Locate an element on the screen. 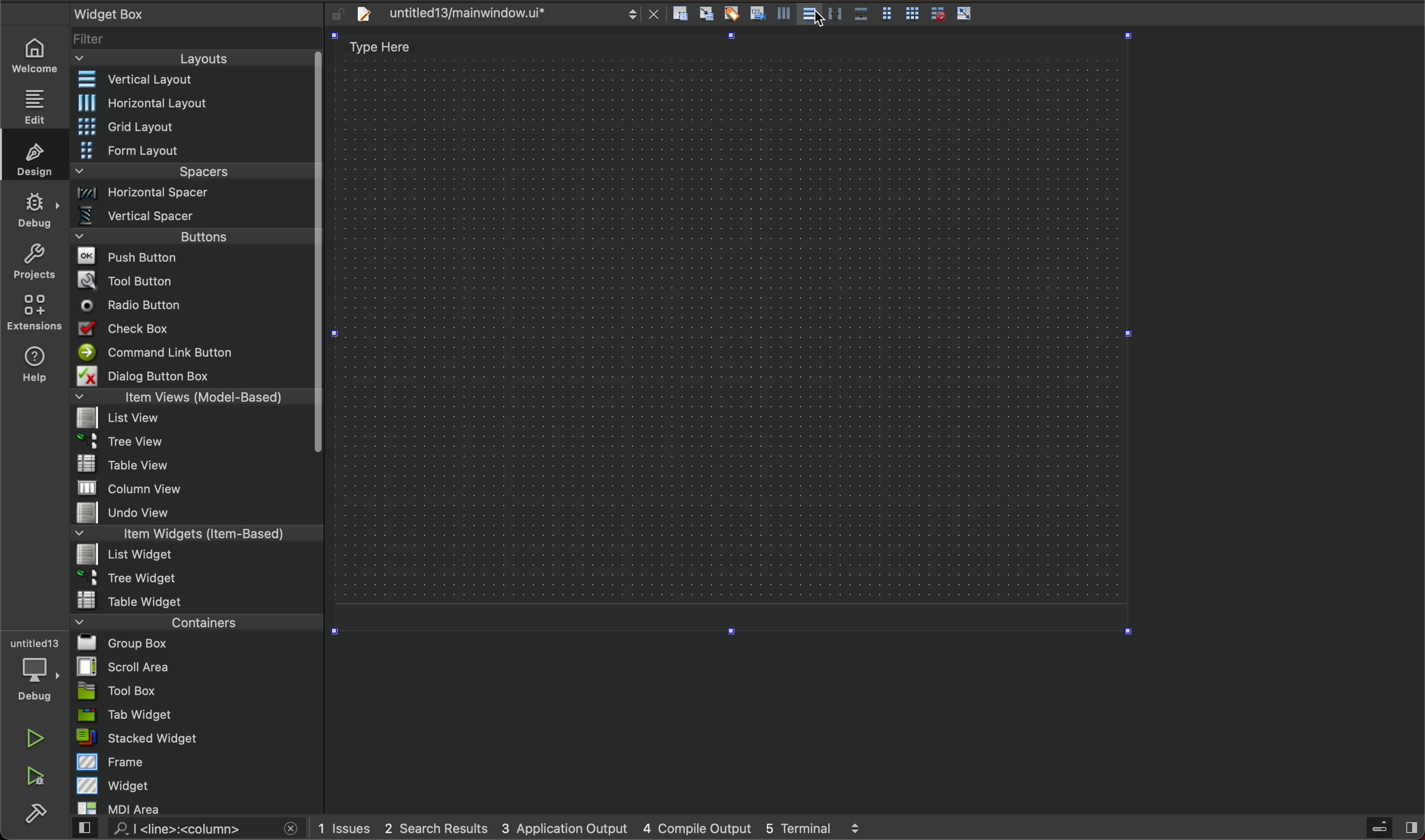 The height and width of the screenshot is (840, 1425). file tab is located at coordinates (503, 16).